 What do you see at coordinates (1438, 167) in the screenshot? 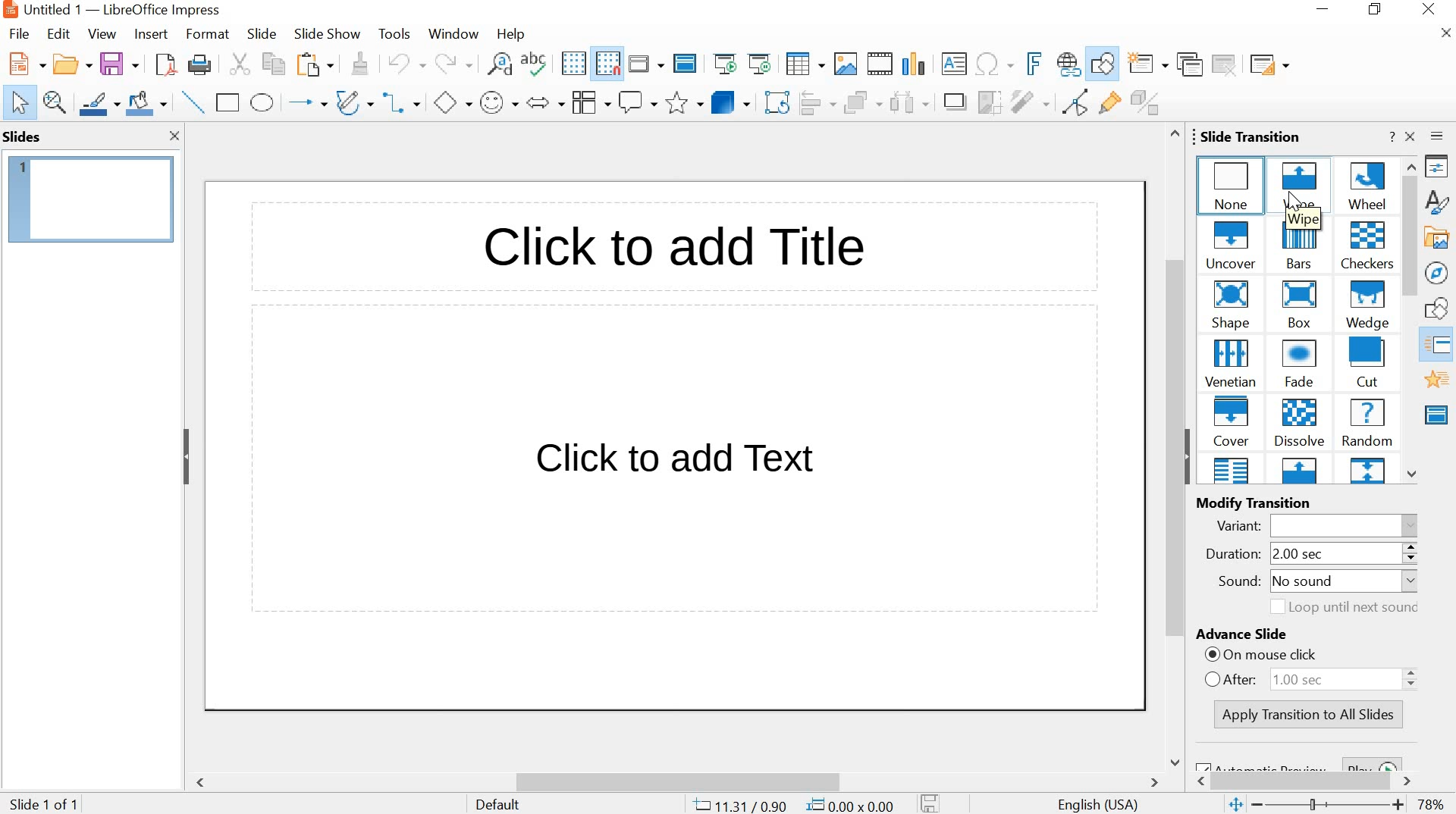
I see `PROPERTIES` at bounding box center [1438, 167].